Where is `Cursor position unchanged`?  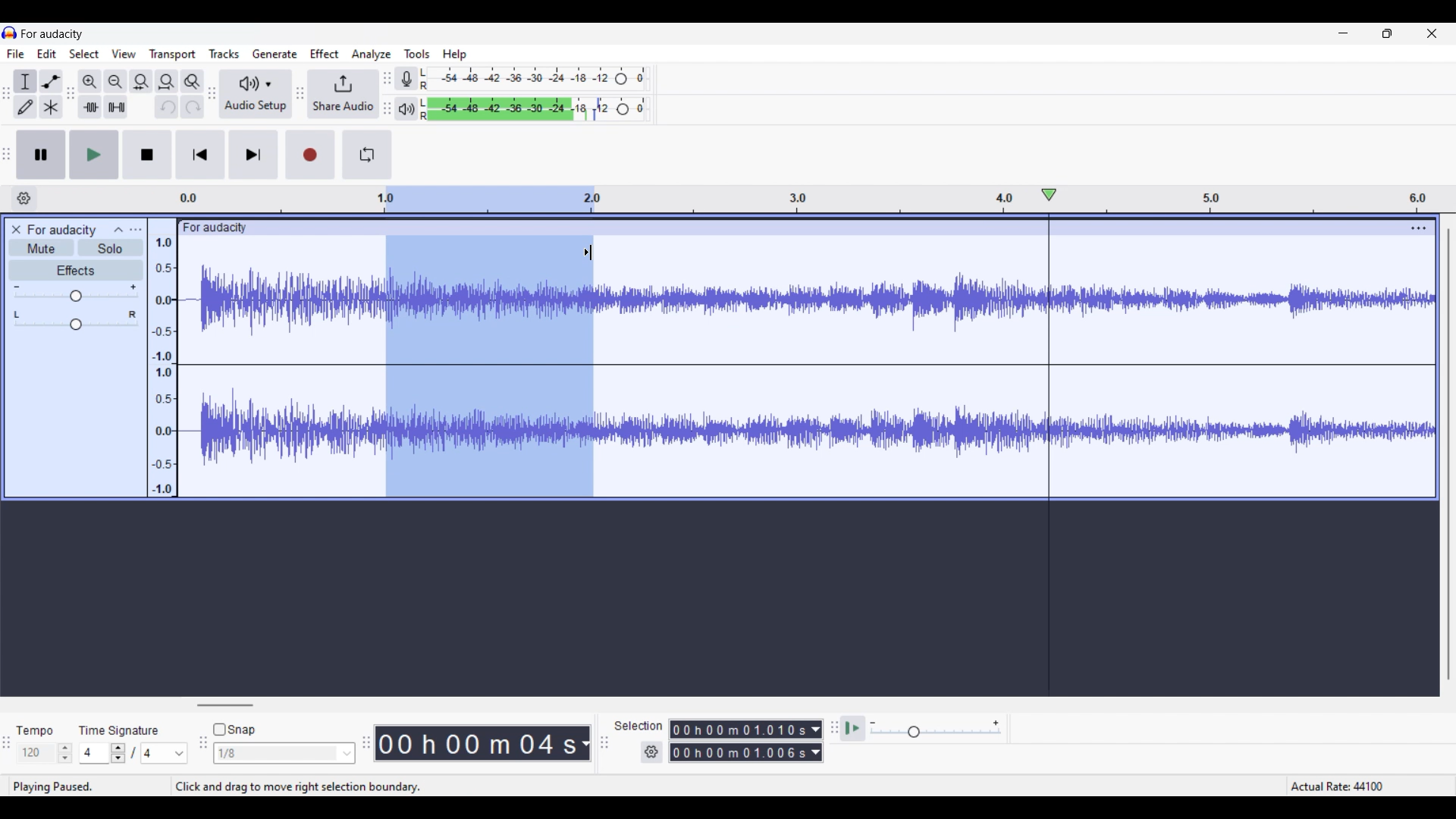
Cursor position unchanged is located at coordinates (588, 252).